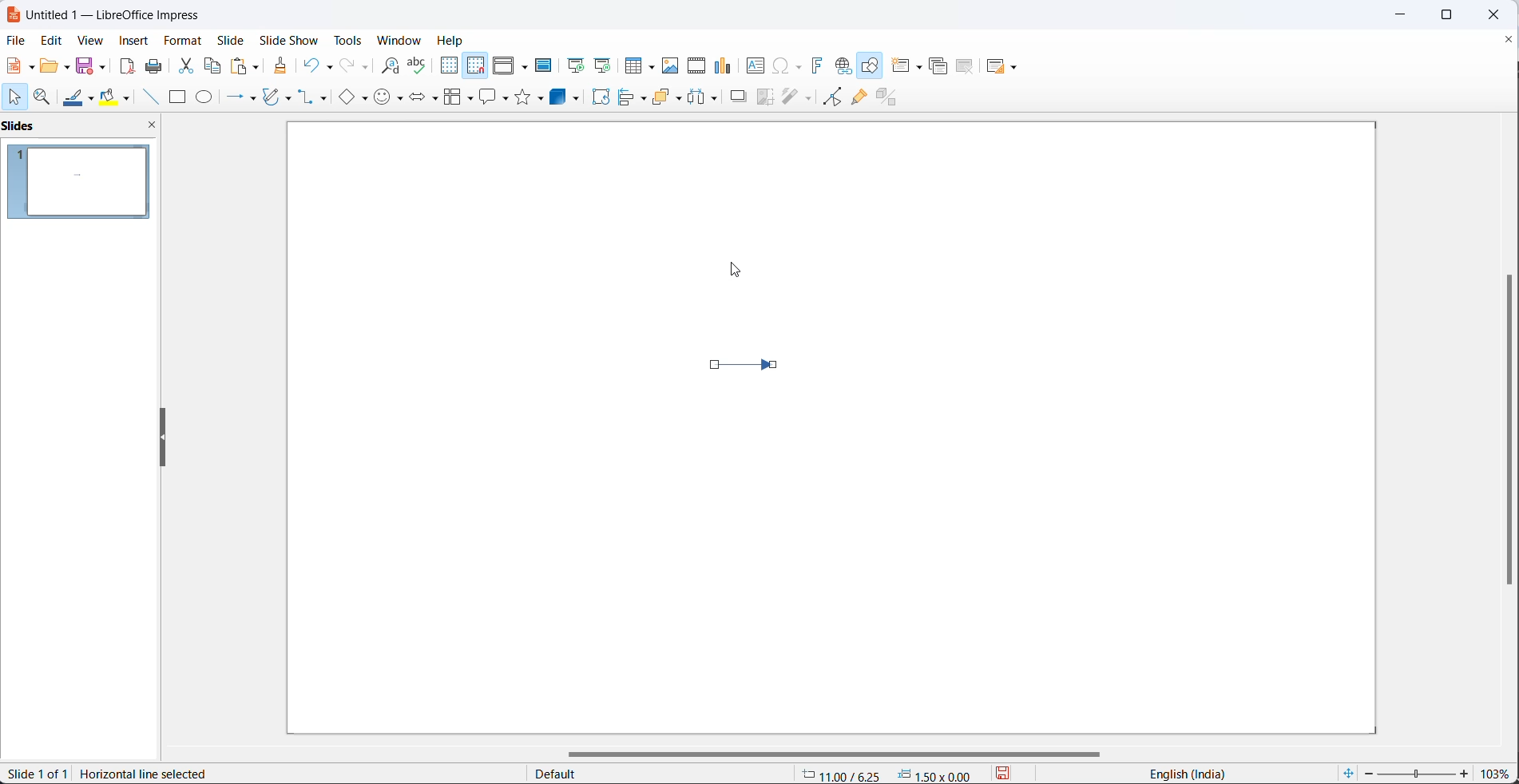 This screenshot has height=784, width=1519. Describe the element at coordinates (213, 65) in the screenshot. I see `copy` at that location.